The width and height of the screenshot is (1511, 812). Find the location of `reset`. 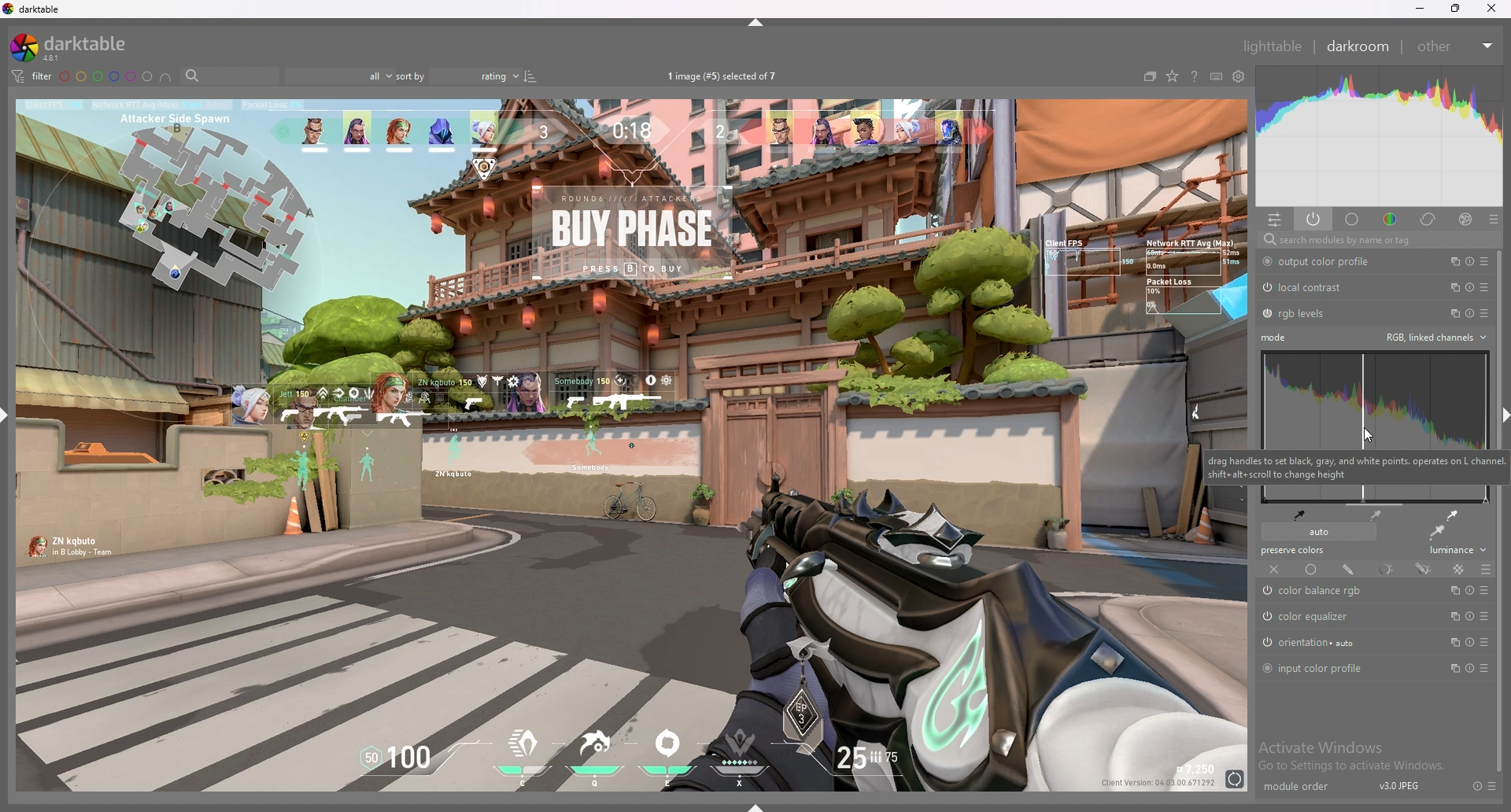

reset is located at coordinates (1469, 642).